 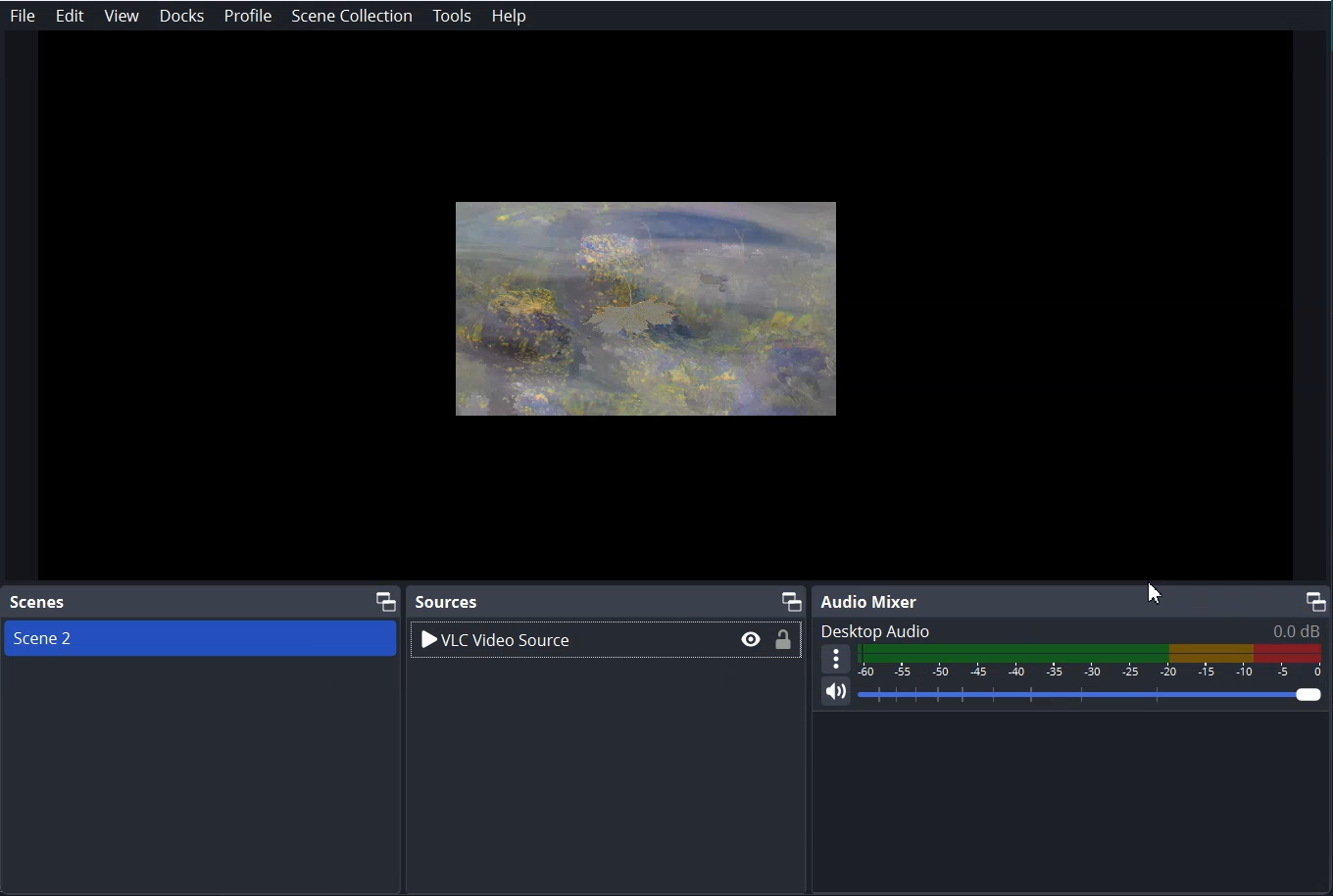 What do you see at coordinates (1091, 661) in the screenshot?
I see `Audio adjuster` at bounding box center [1091, 661].